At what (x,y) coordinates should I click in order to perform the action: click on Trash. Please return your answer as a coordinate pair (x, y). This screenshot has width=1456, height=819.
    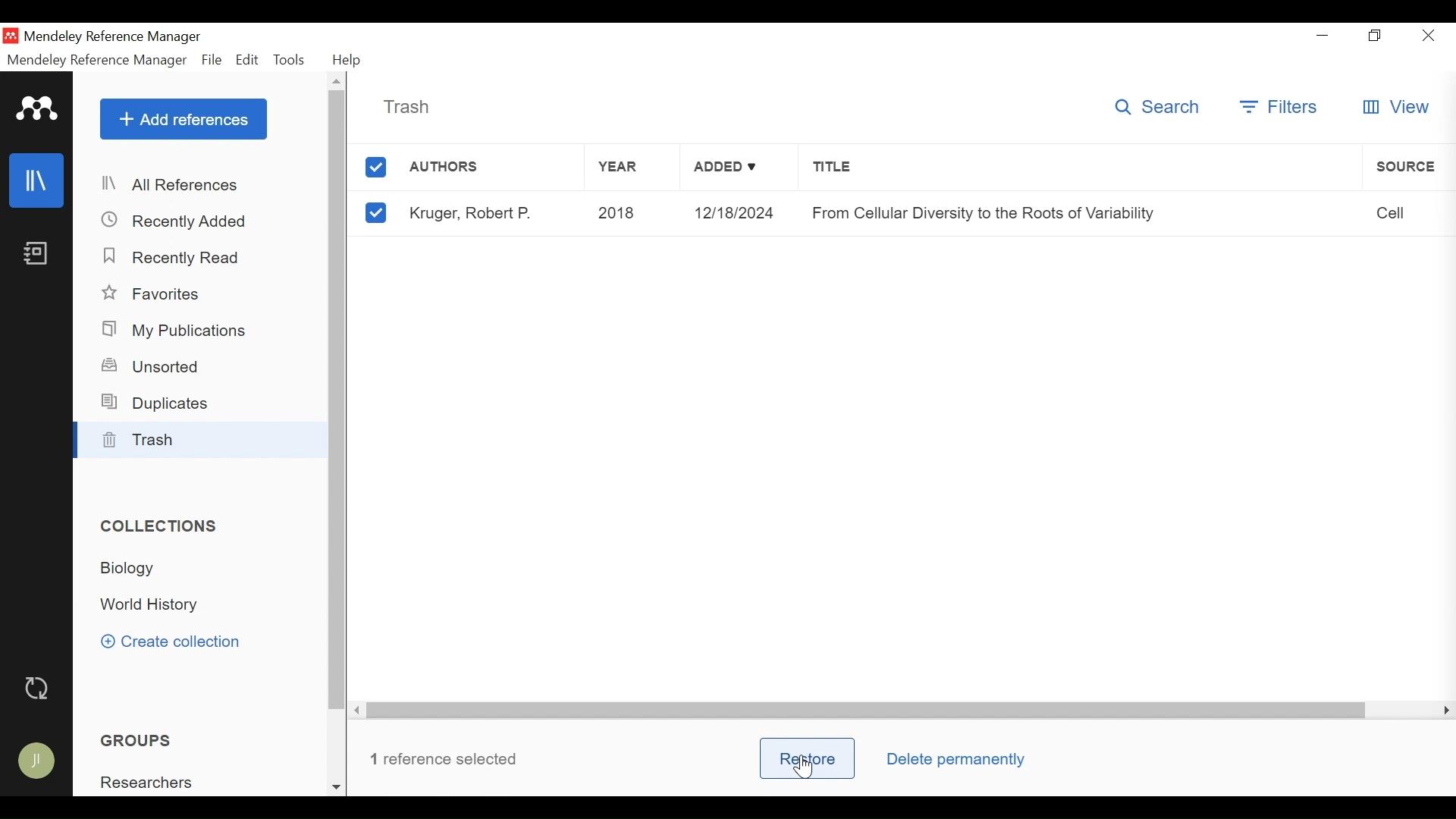
    Looking at the image, I should click on (202, 439).